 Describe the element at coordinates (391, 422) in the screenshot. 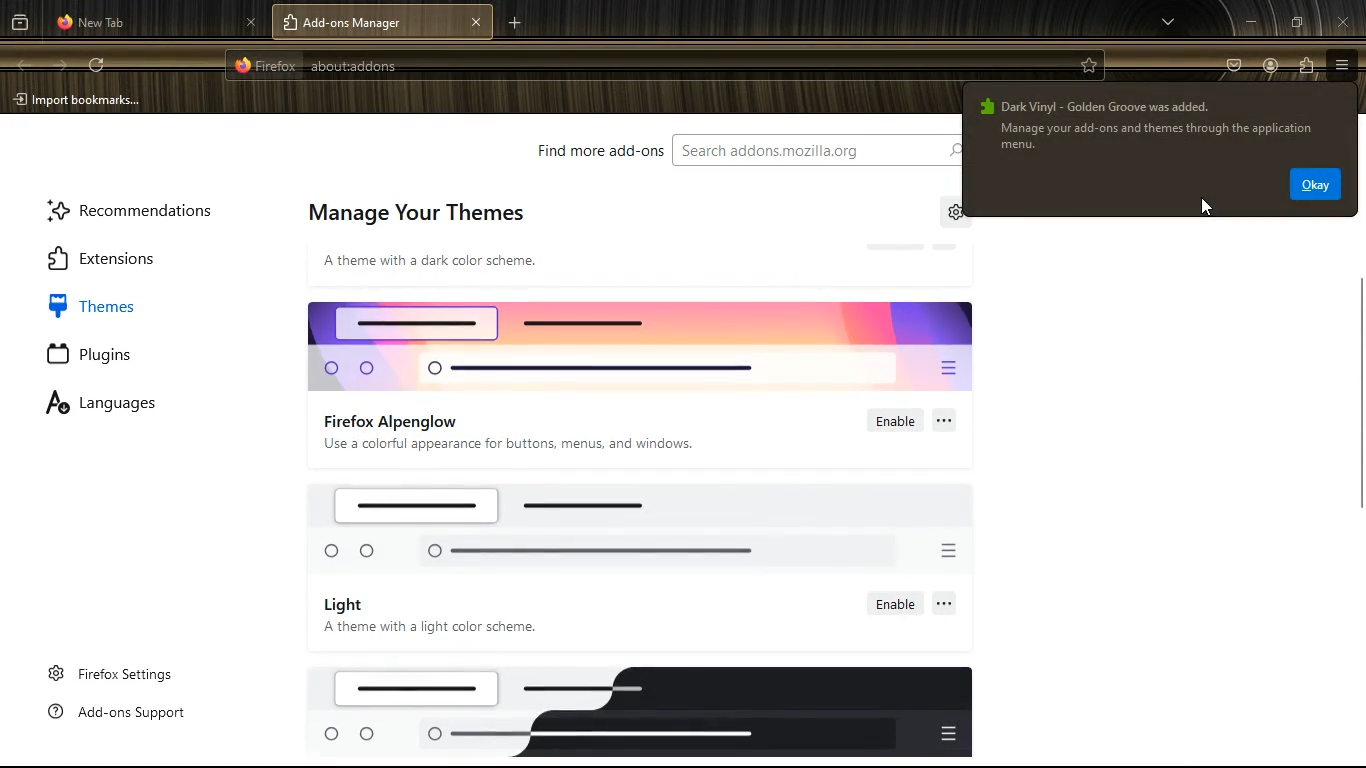

I see `Firefox Alpenglow` at that location.